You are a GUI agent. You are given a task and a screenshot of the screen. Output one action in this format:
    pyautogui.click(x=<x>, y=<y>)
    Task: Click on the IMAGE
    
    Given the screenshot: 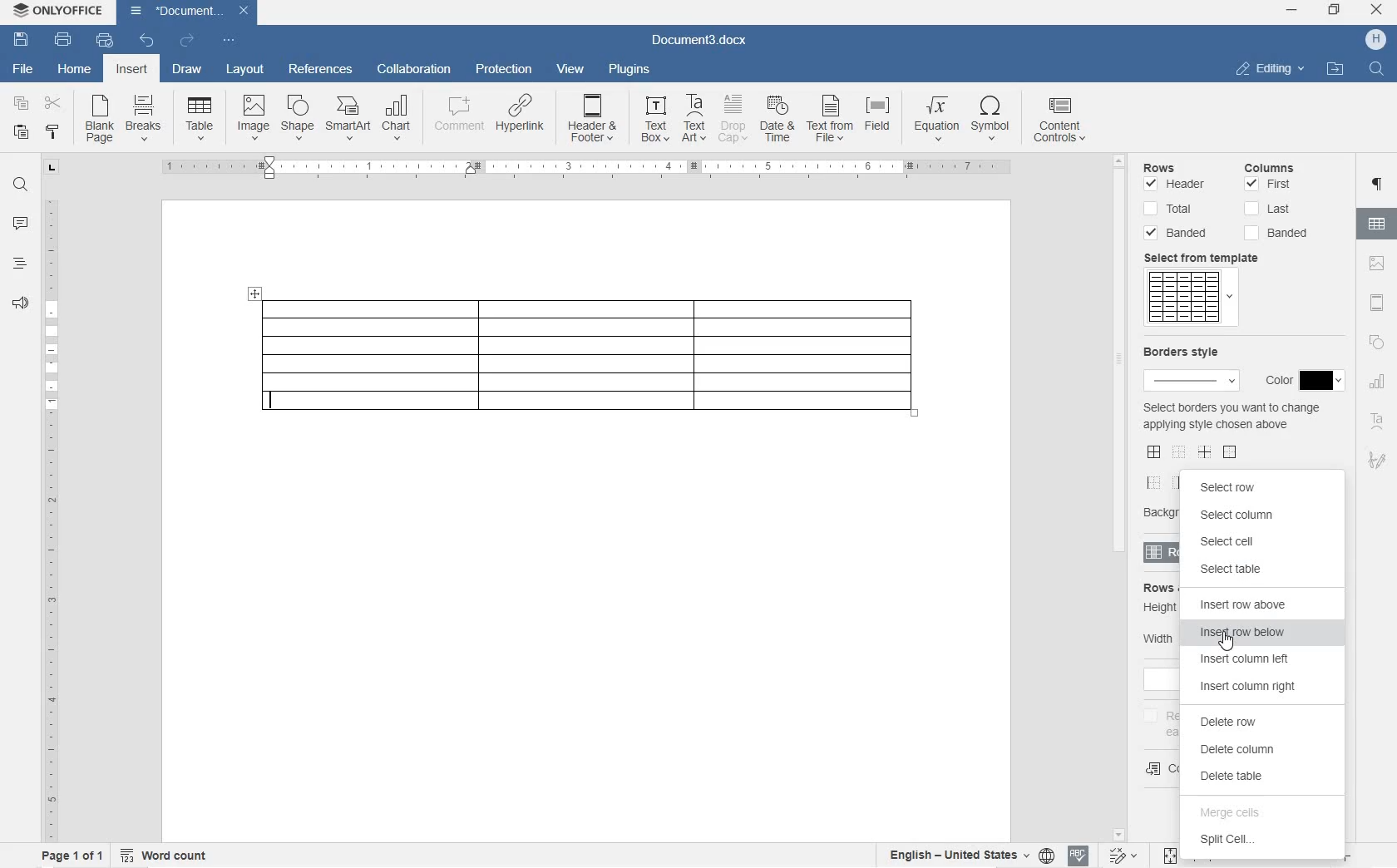 What is the action you would take?
    pyautogui.click(x=254, y=118)
    